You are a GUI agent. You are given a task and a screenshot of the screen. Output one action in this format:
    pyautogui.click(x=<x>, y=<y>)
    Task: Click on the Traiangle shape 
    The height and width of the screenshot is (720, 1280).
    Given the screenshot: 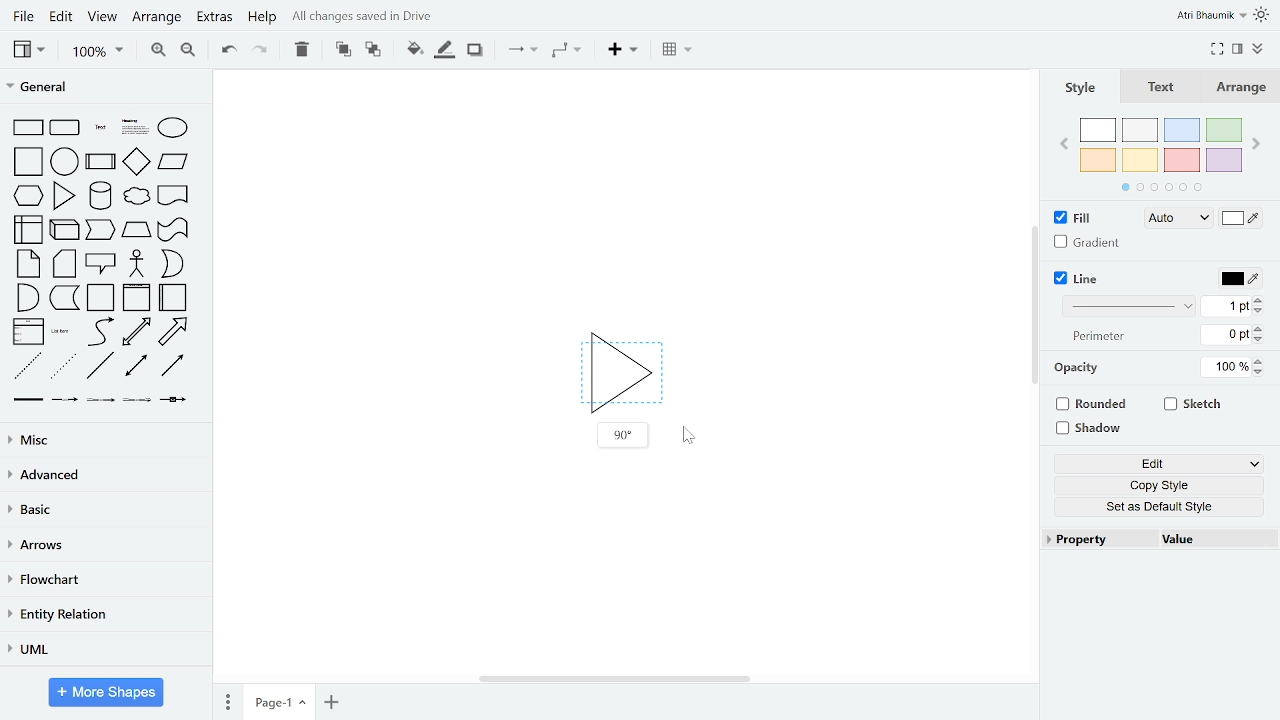 What is the action you would take?
    pyautogui.click(x=620, y=368)
    